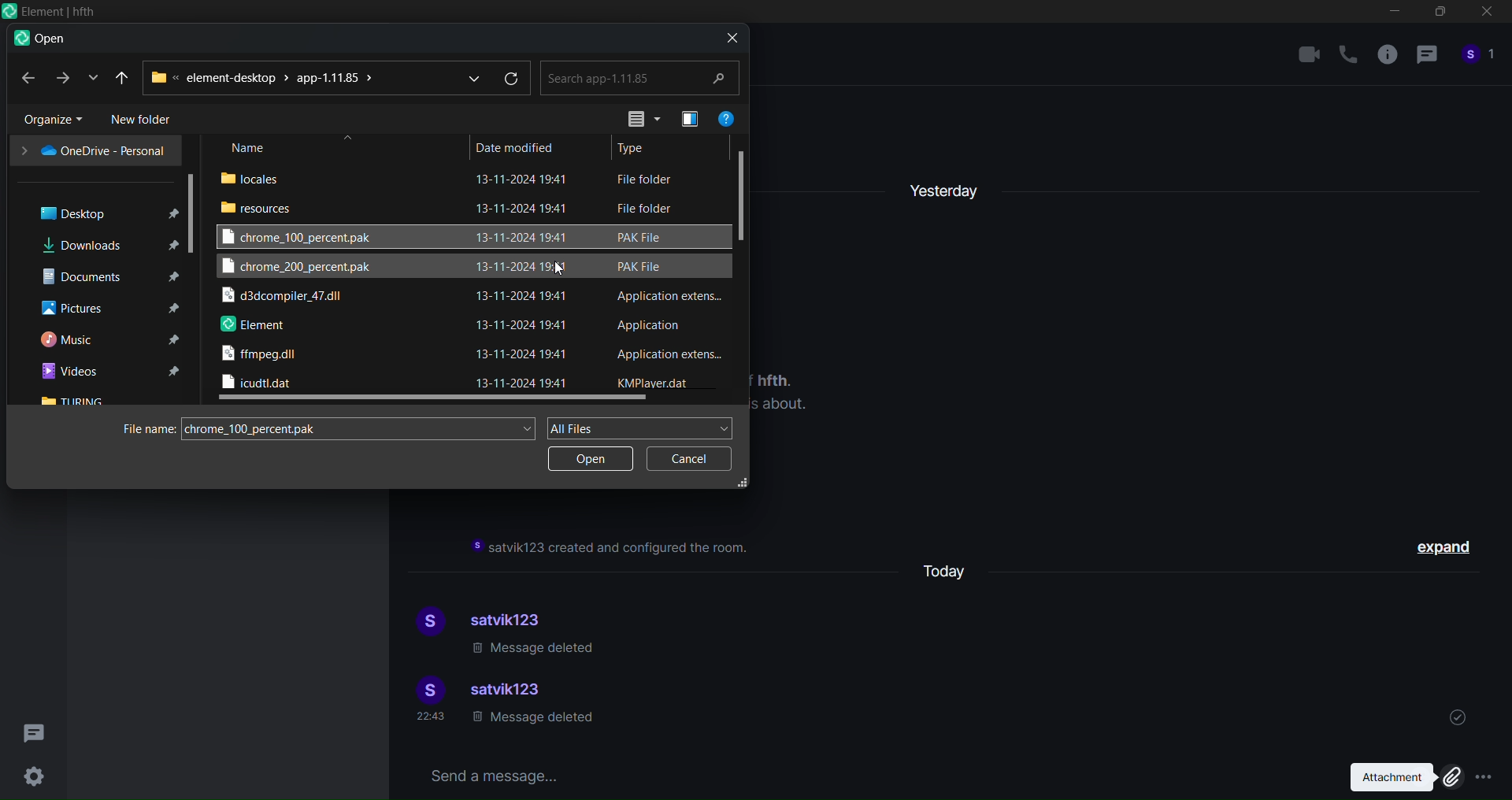 The width and height of the screenshot is (1512, 800). What do you see at coordinates (306, 236) in the screenshot?
I see `chrome 100` at bounding box center [306, 236].